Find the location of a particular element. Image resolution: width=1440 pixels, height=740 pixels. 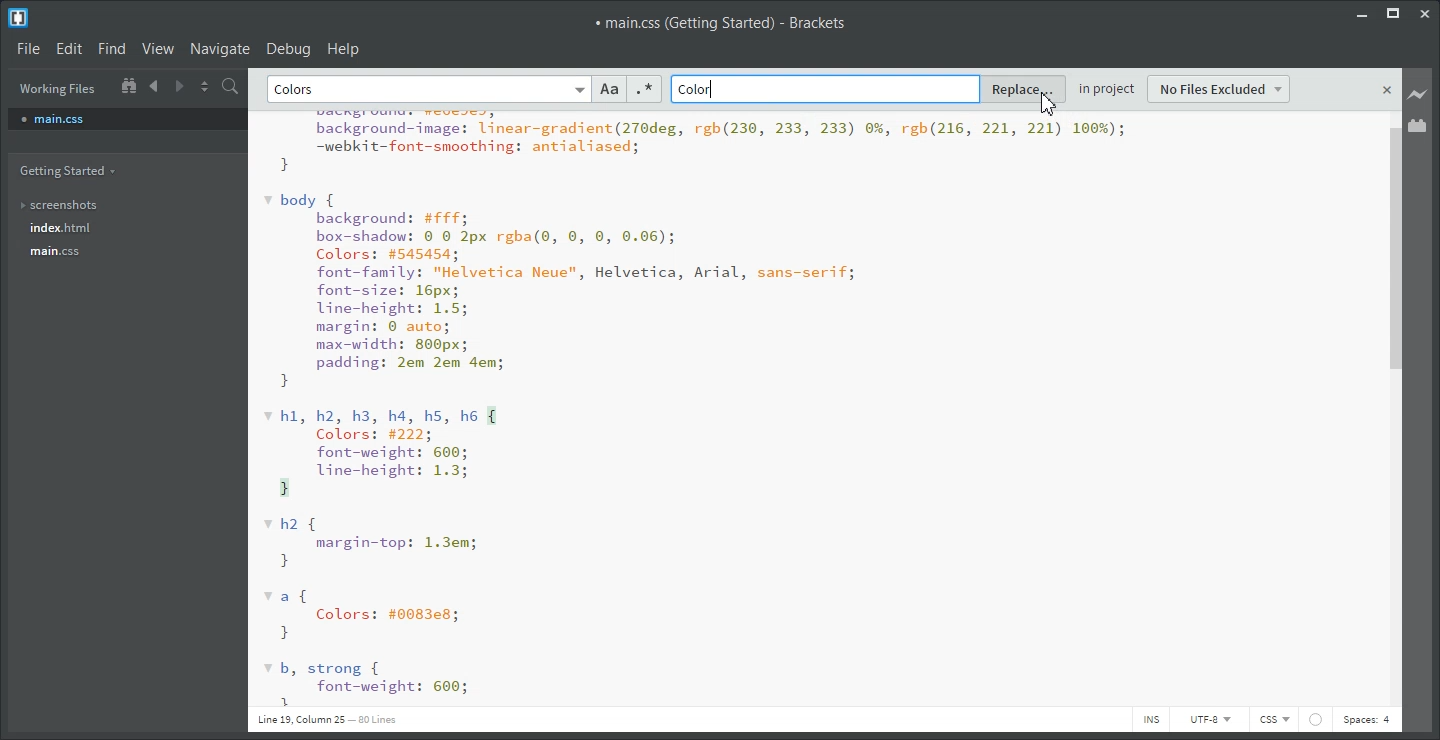

close is located at coordinates (1388, 91).